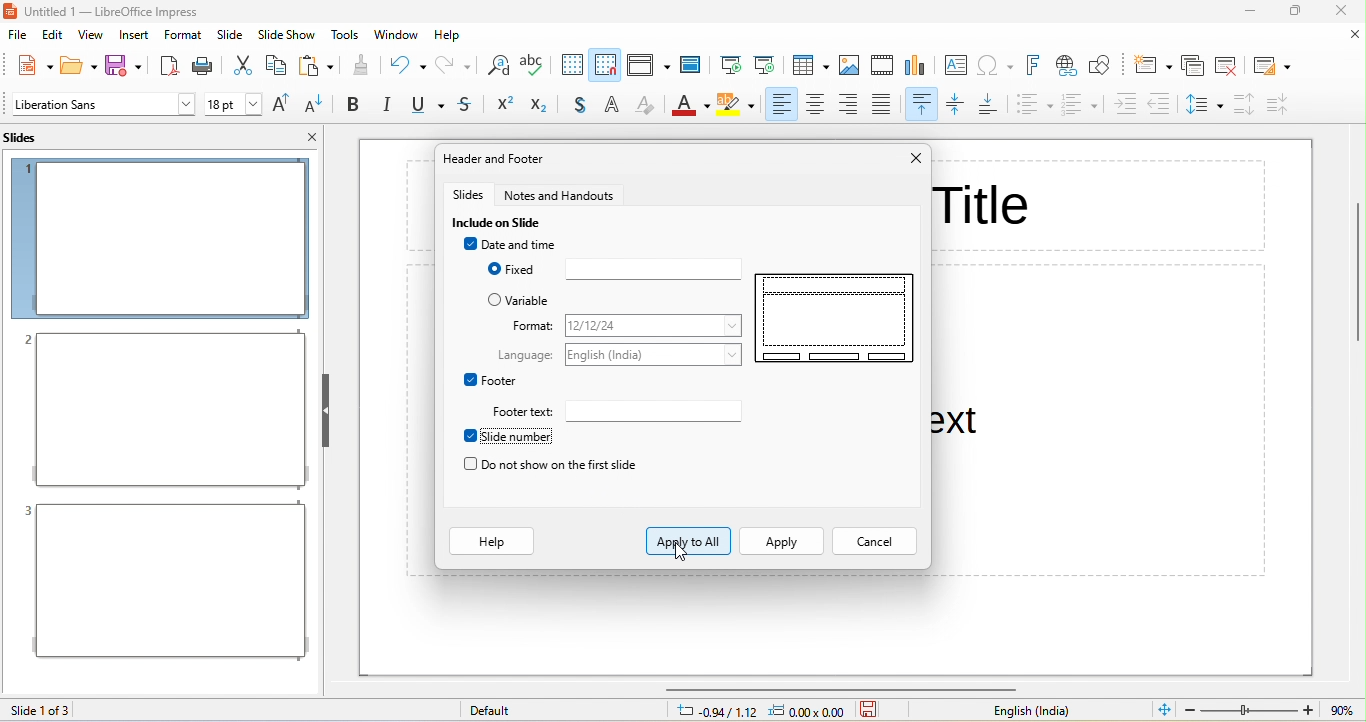 This screenshot has height=722, width=1366. What do you see at coordinates (128, 65) in the screenshot?
I see `save` at bounding box center [128, 65].